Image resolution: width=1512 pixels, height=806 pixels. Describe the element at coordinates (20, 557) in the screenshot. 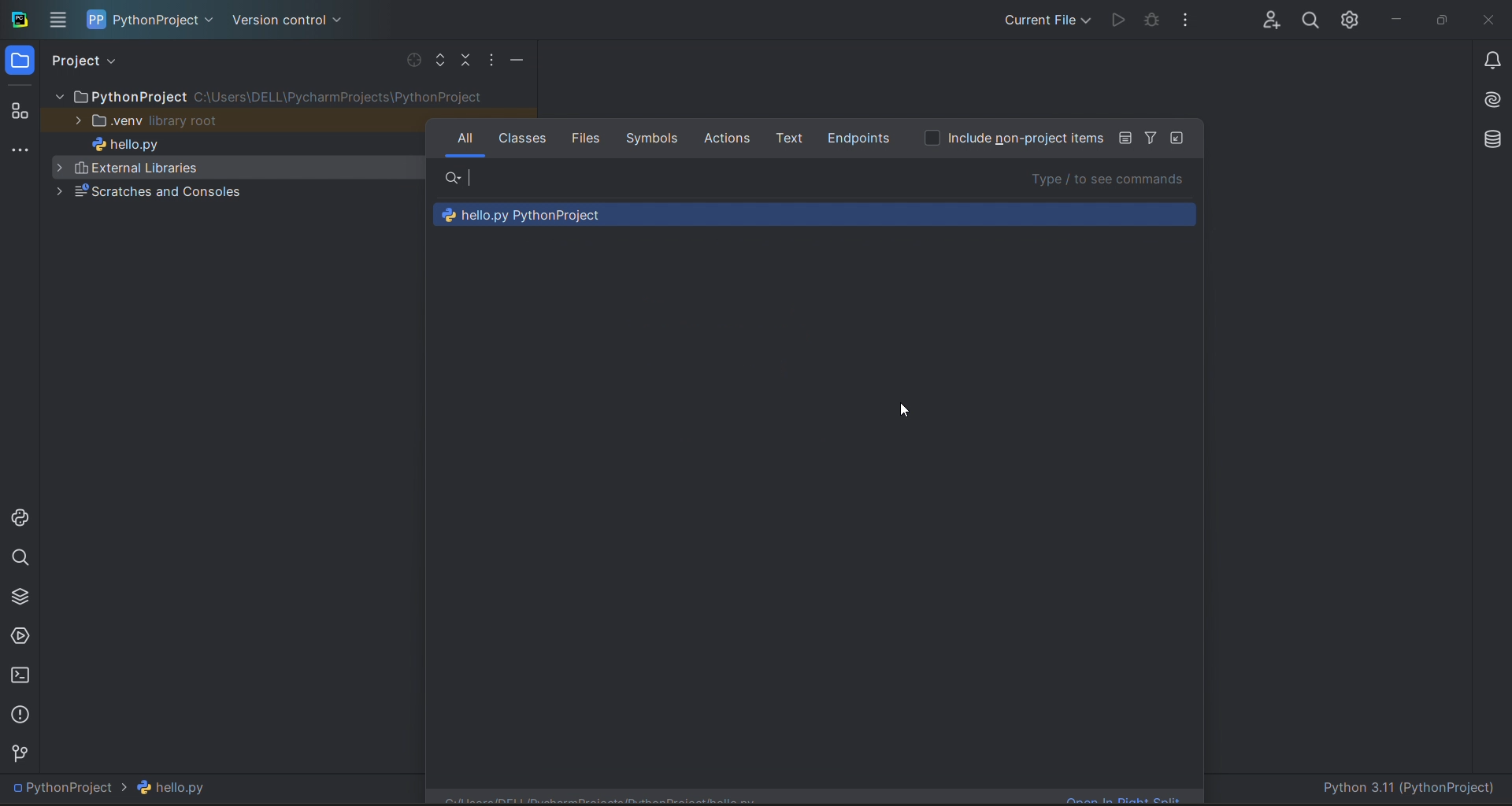

I see `search` at that location.